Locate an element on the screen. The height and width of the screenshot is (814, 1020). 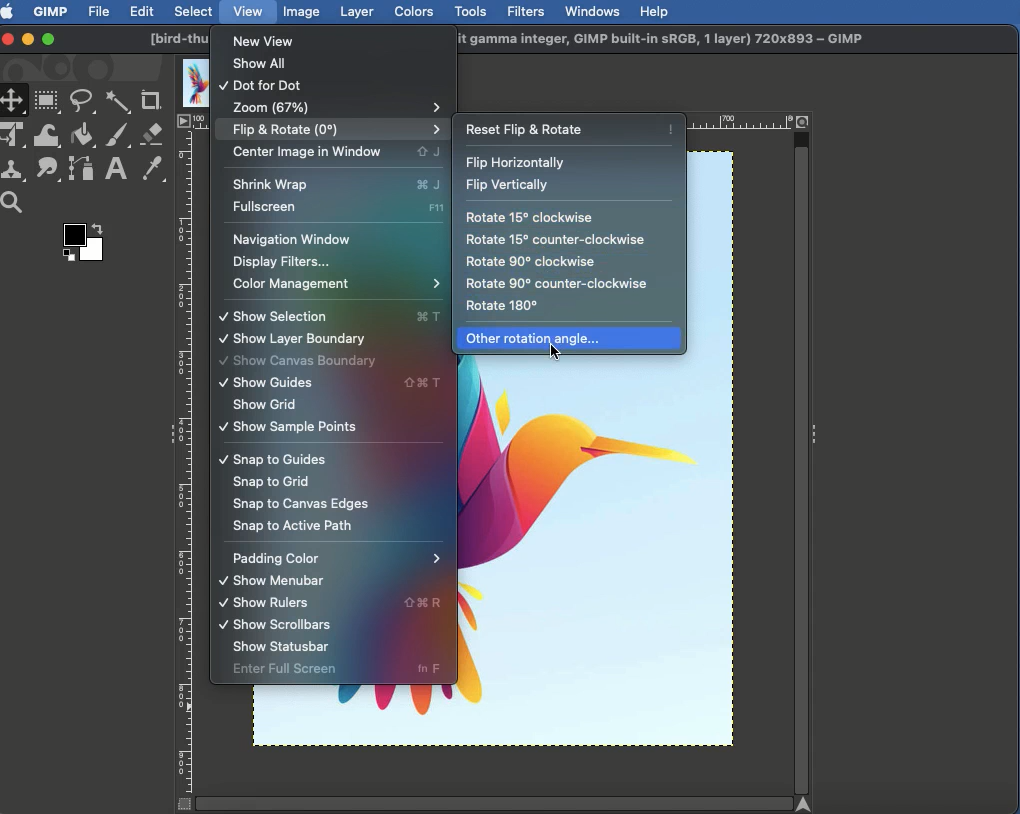
Display filters is located at coordinates (283, 263).